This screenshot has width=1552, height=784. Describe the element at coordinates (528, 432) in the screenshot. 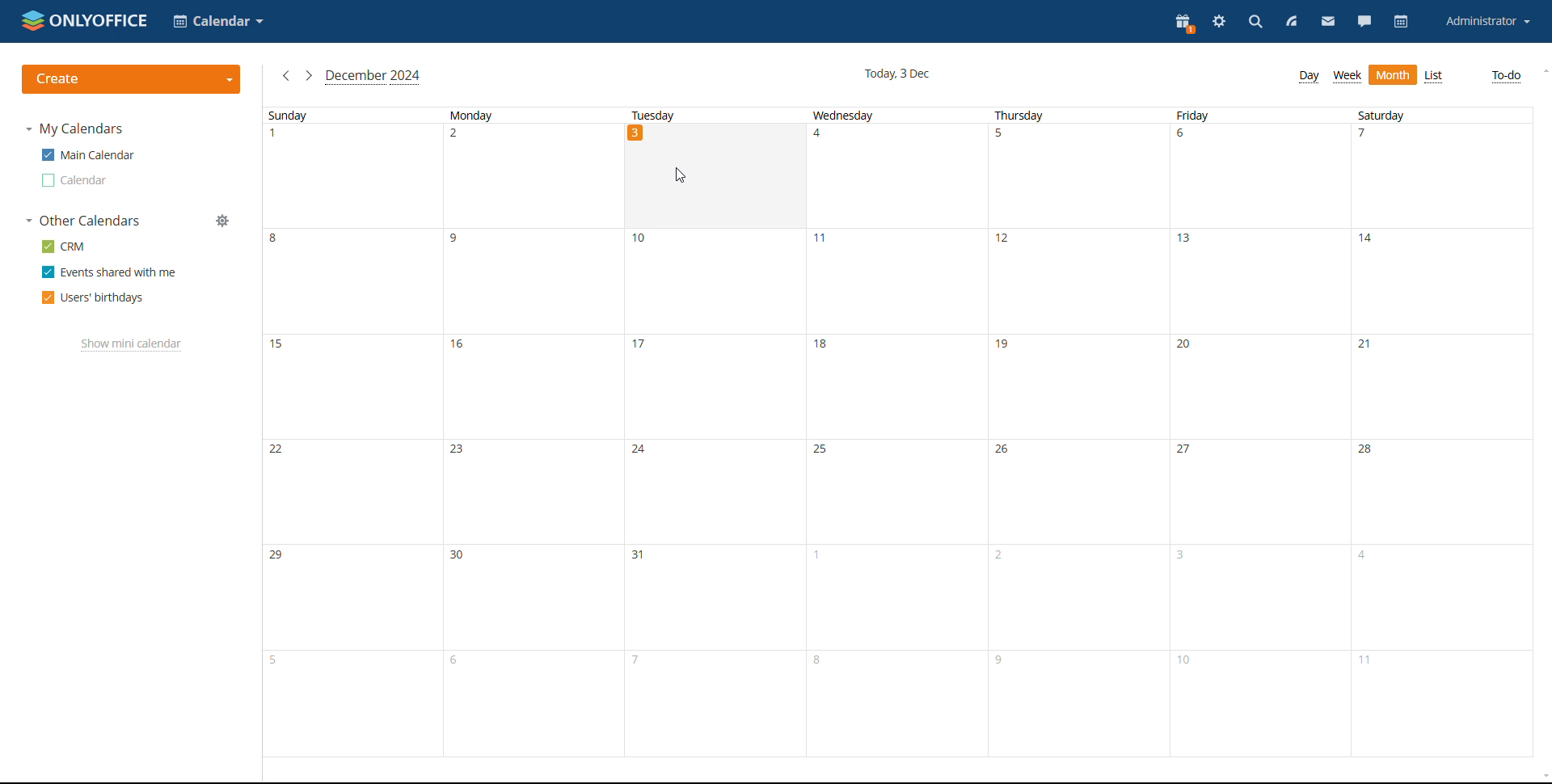

I see `monday` at that location.